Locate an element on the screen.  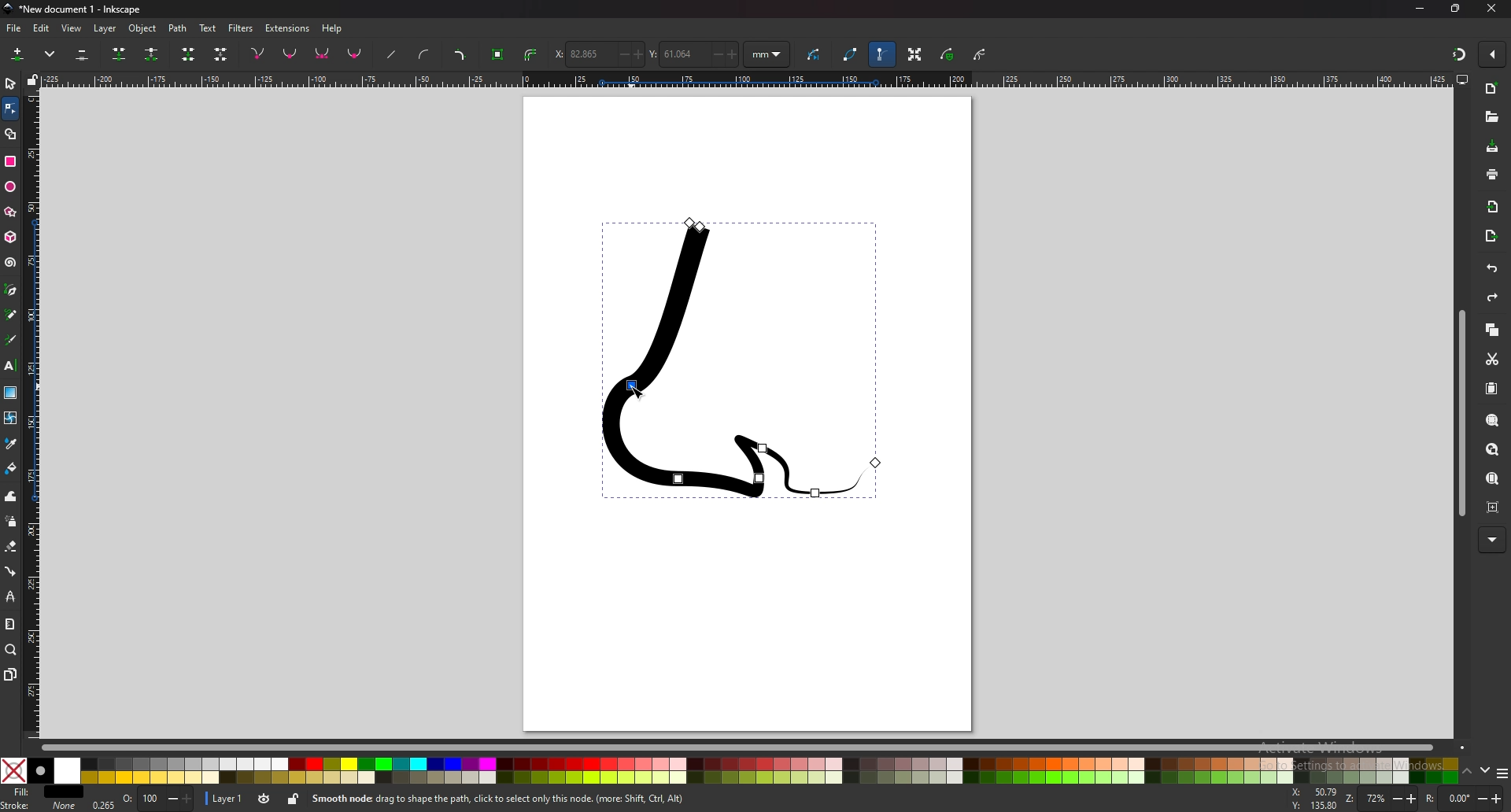
star and polygon is located at coordinates (11, 212).